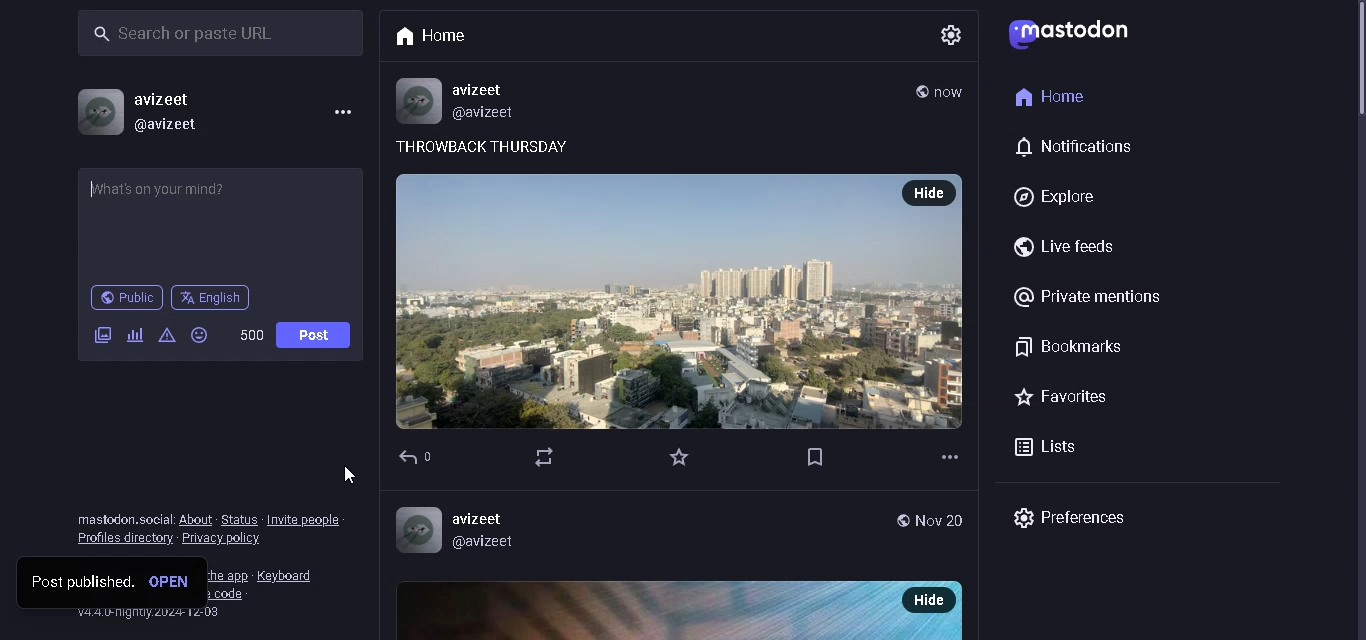  What do you see at coordinates (917, 91) in the screenshot?
I see `public post` at bounding box center [917, 91].